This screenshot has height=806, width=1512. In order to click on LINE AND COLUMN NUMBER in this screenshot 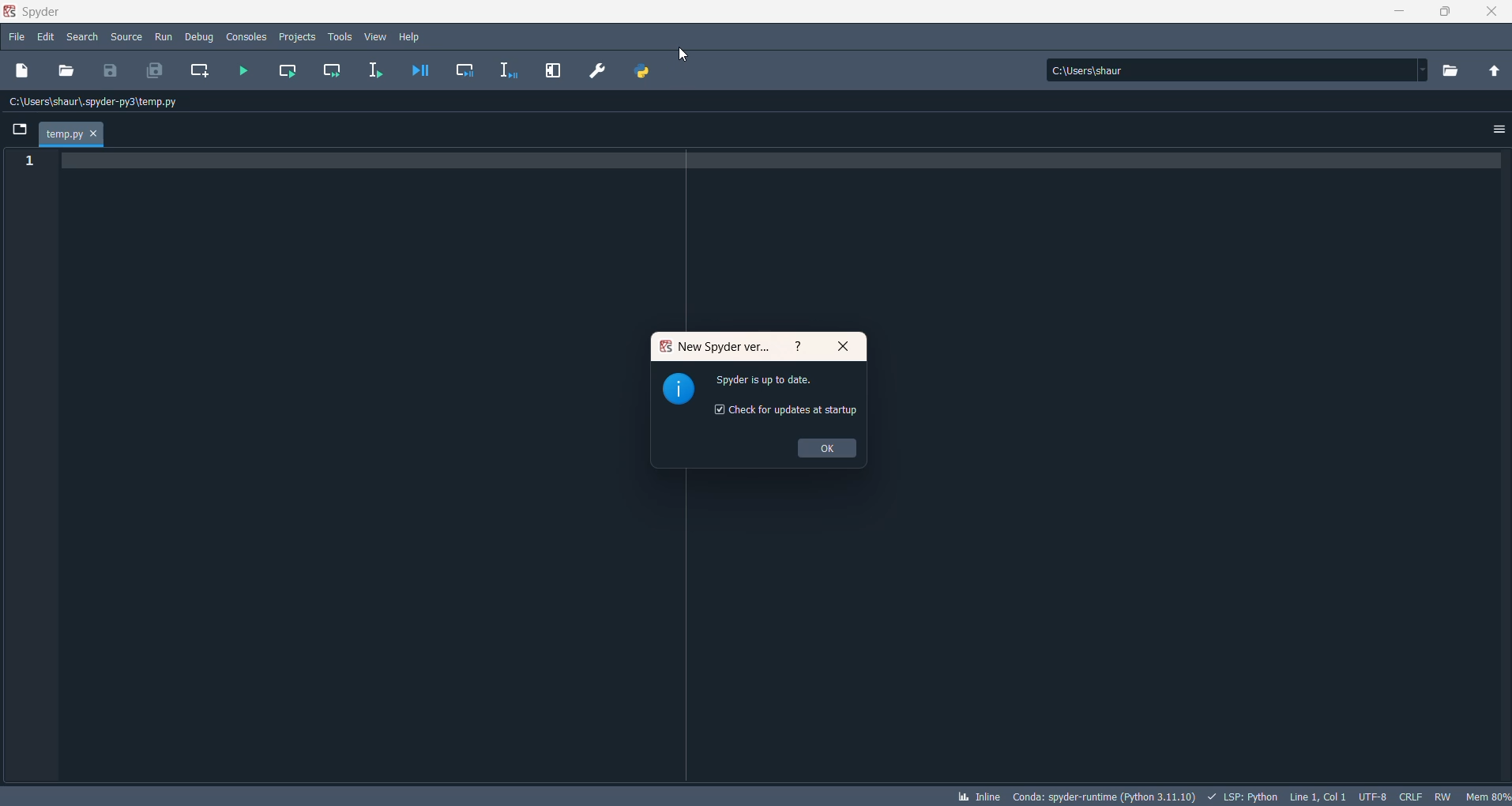, I will do `click(1316, 796)`.